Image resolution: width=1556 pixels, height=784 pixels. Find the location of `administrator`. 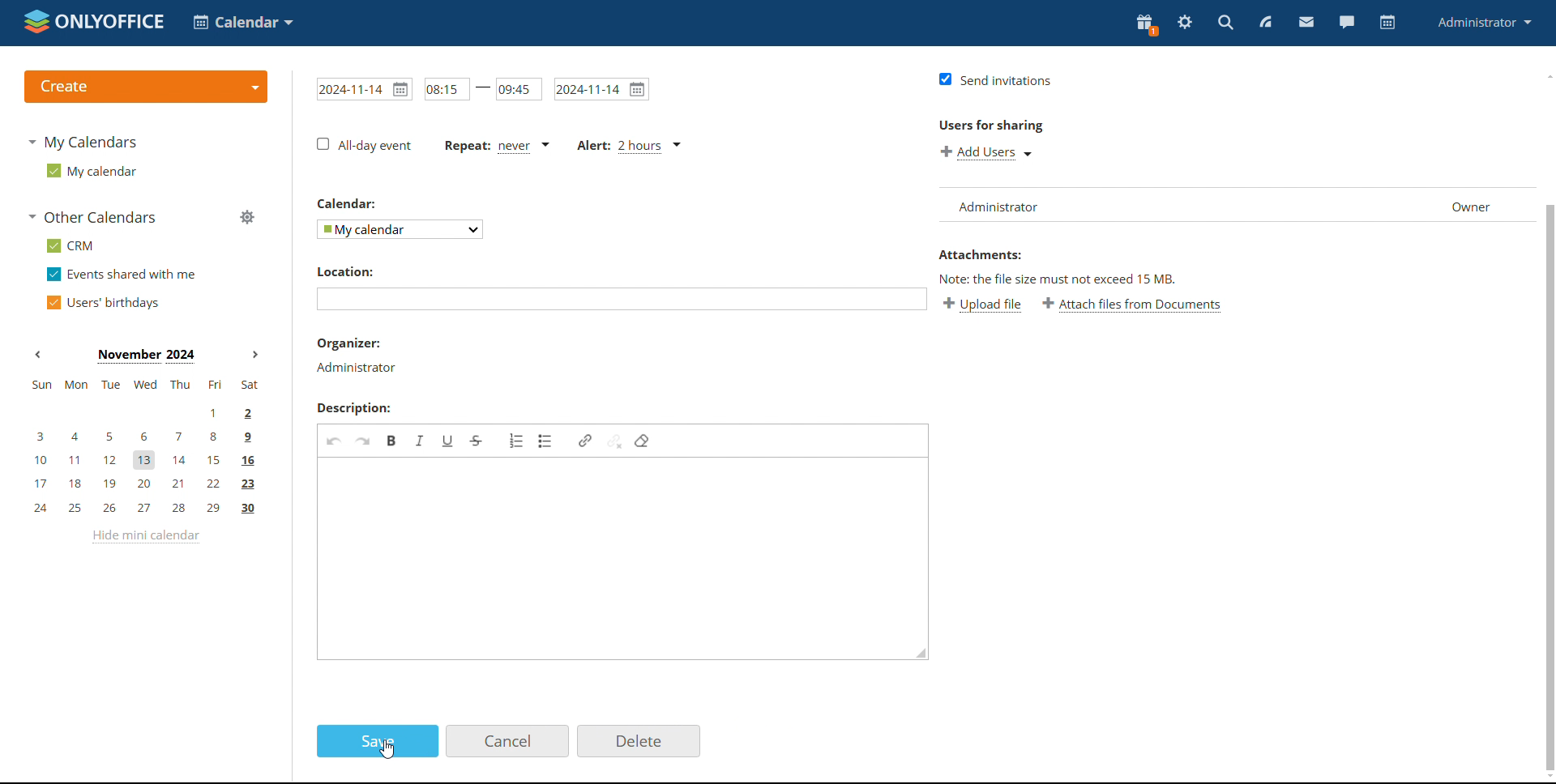

administrator is located at coordinates (1483, 21).